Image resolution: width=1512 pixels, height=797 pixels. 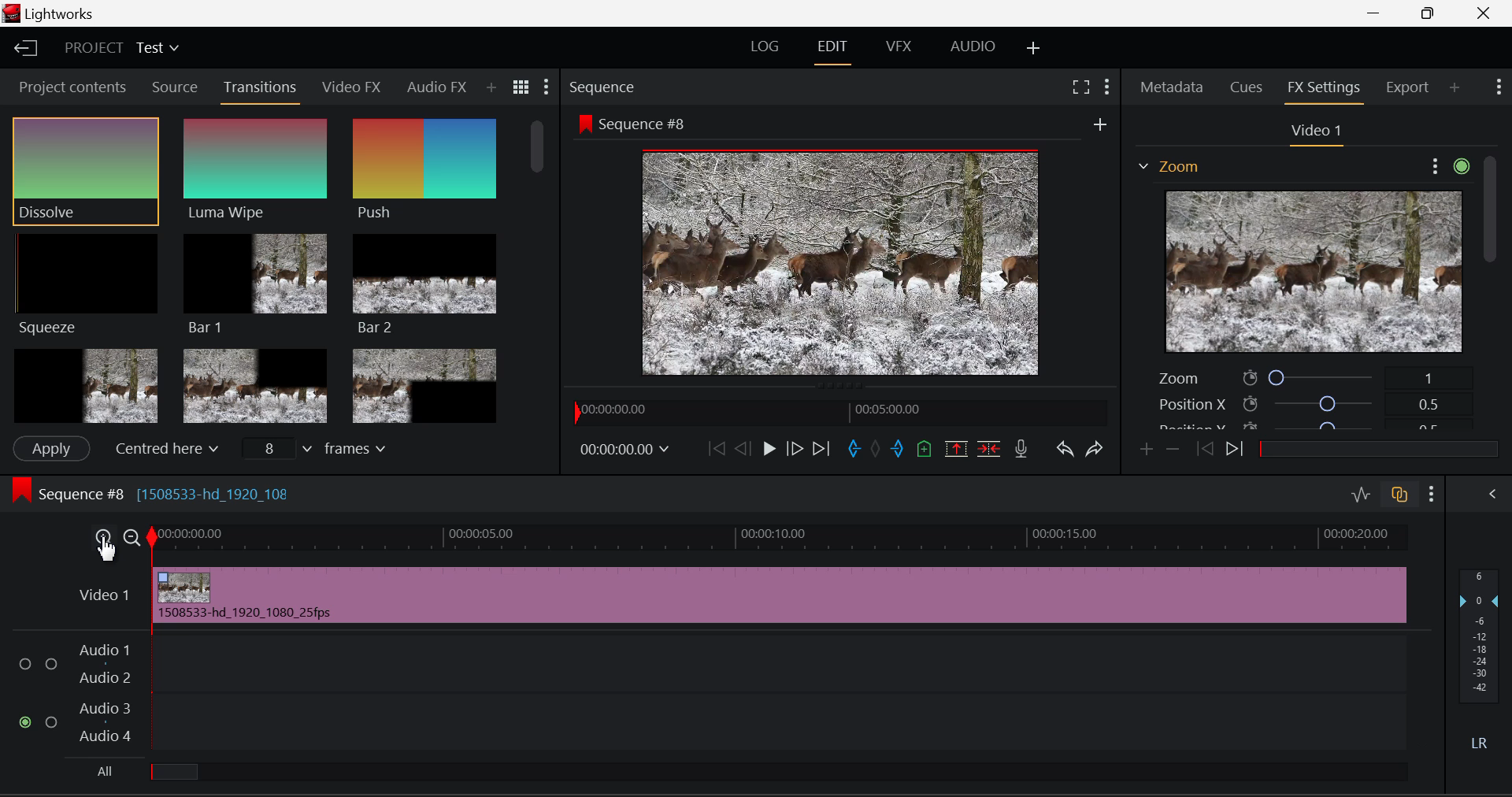 I want to click on Toggle between list and title view, so click(x=519, y=87).